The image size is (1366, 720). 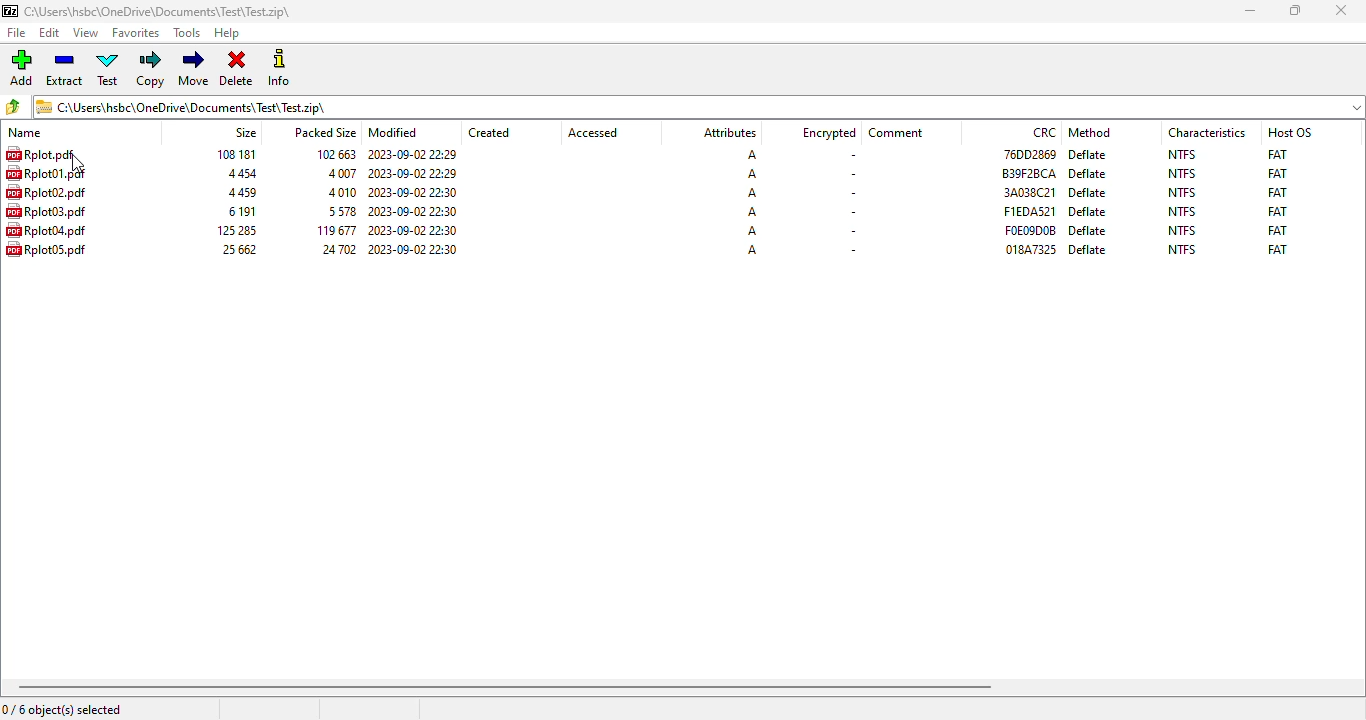 I want to click on created, so click(x=489, y=133).